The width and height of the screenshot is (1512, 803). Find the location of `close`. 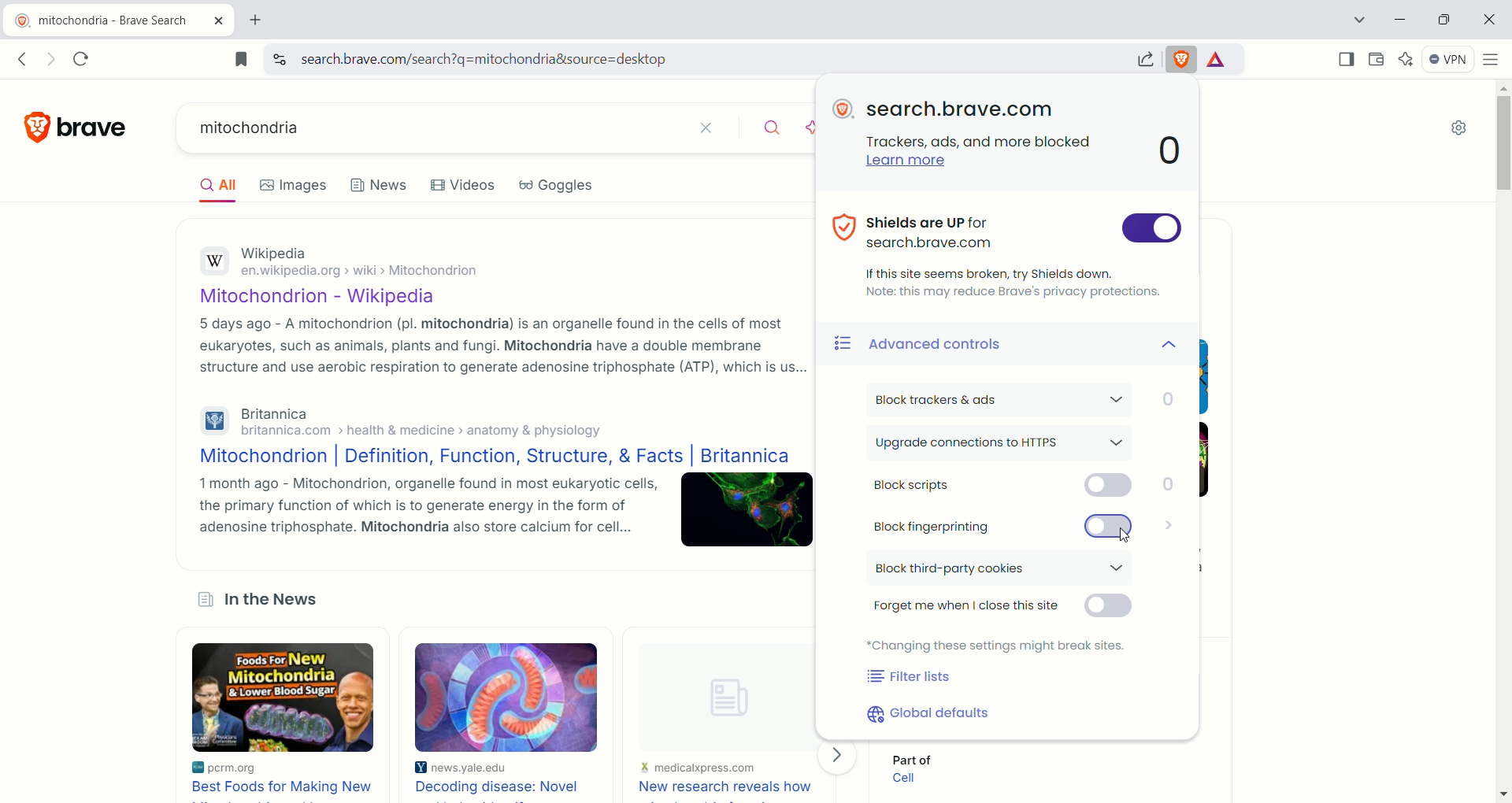

close is located at coordinates (1488, 20).